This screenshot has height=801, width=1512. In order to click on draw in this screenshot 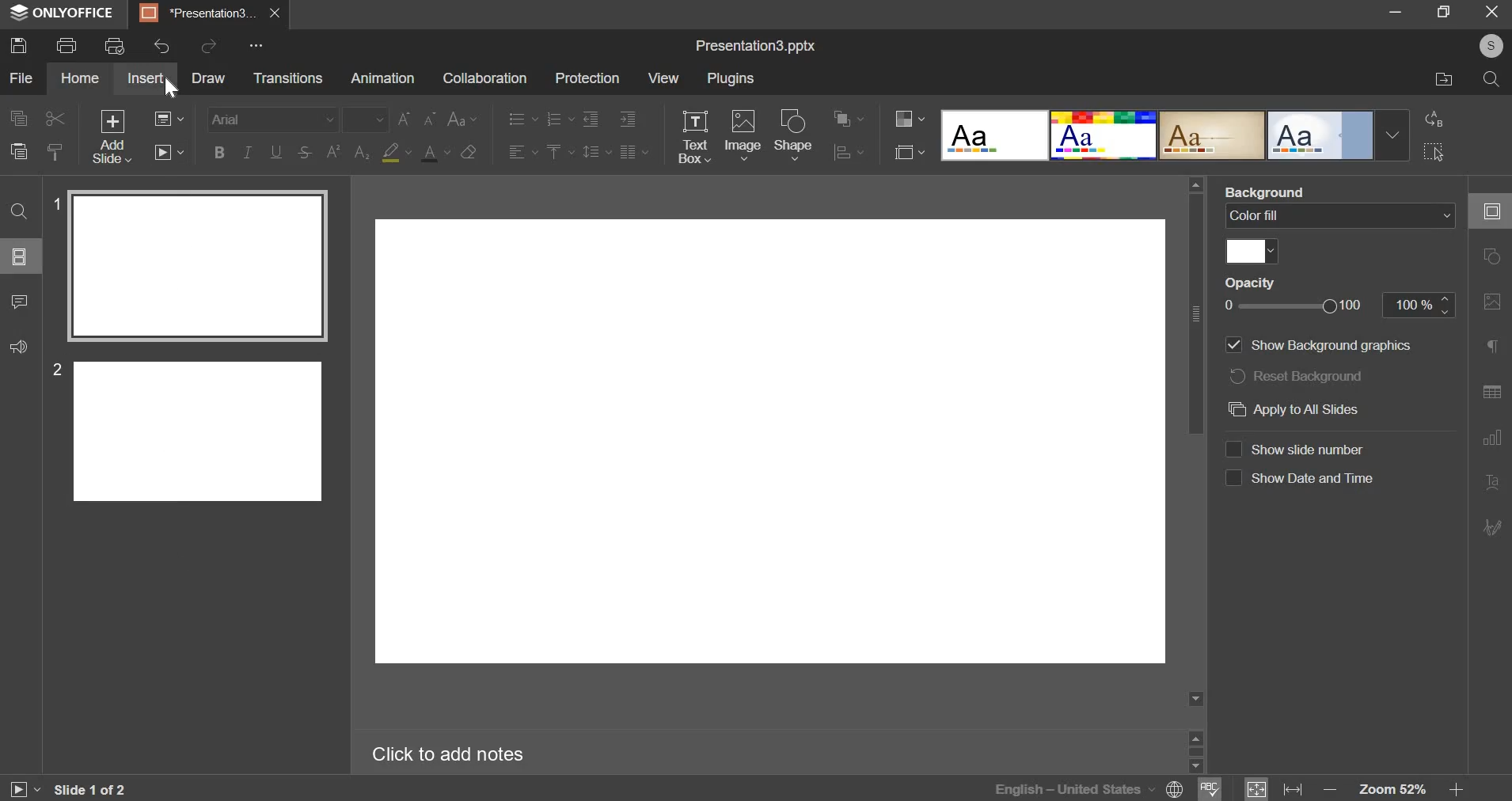, I will do `click(212, 80)`.